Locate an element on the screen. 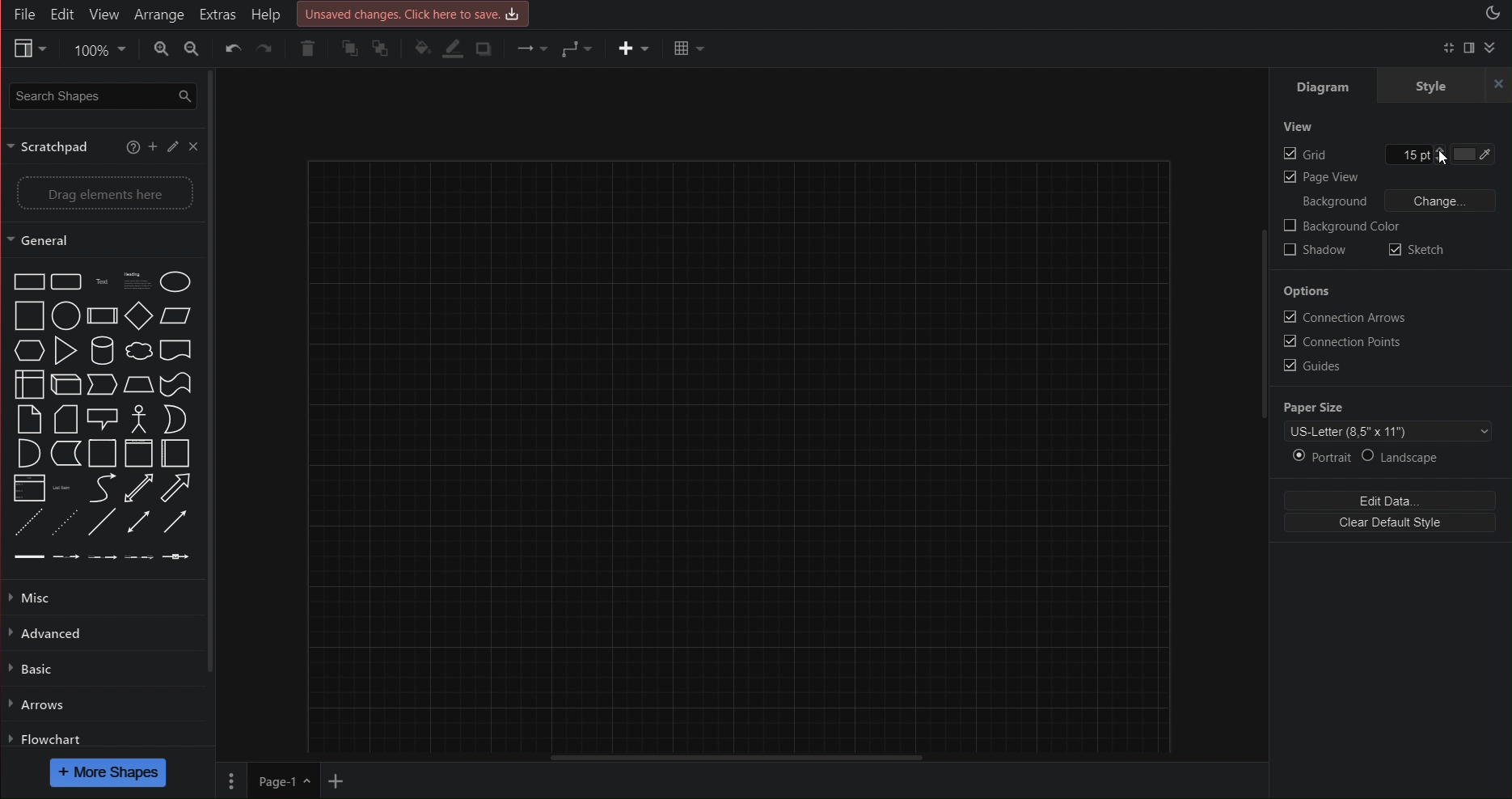  Options is located at coordinates (1307, 294).